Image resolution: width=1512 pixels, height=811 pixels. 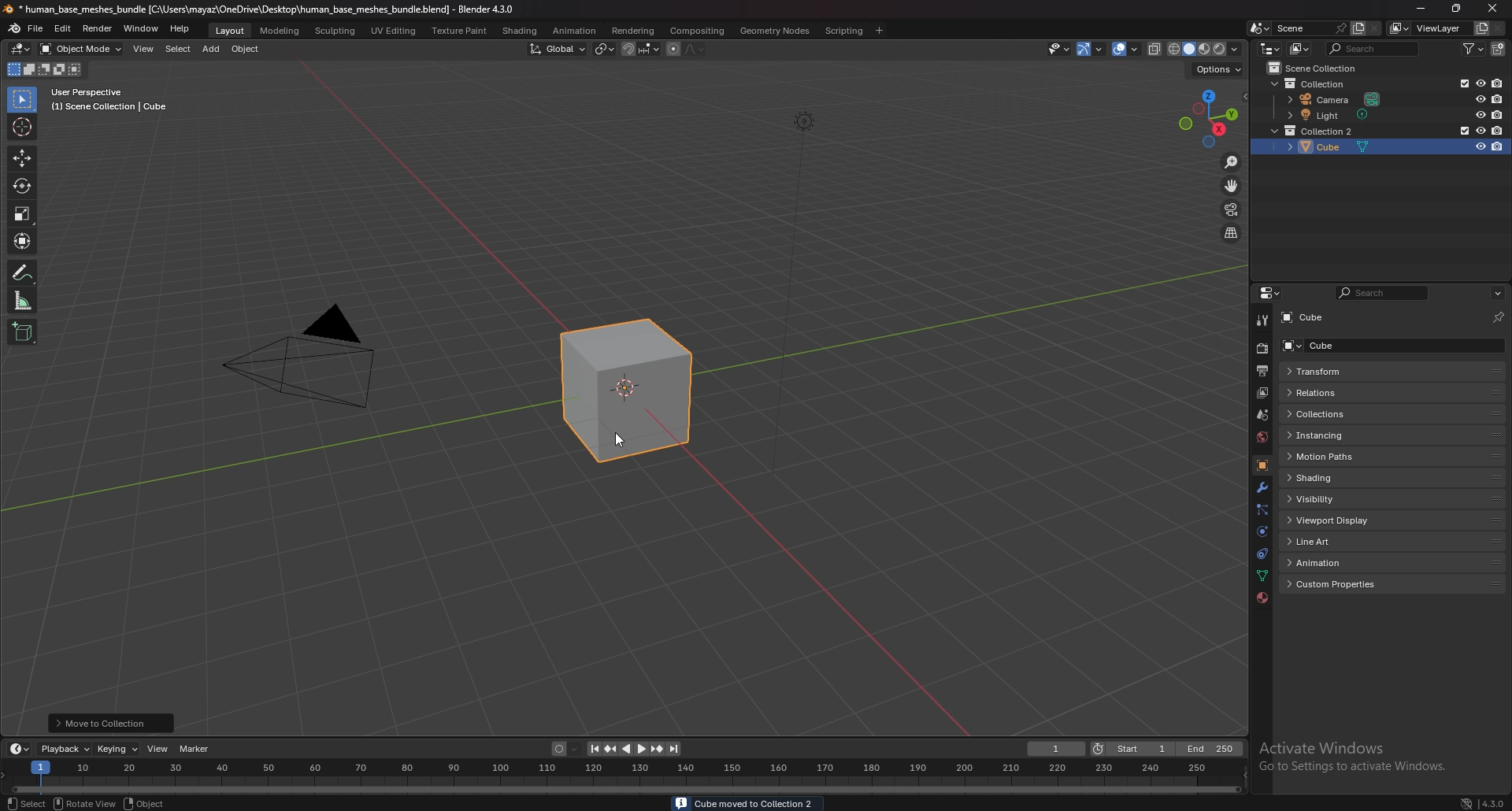 What do you see at coordinates (1499, 99) in the screenshot?
I see `disable in renders` at bounding box center [1499, 99].